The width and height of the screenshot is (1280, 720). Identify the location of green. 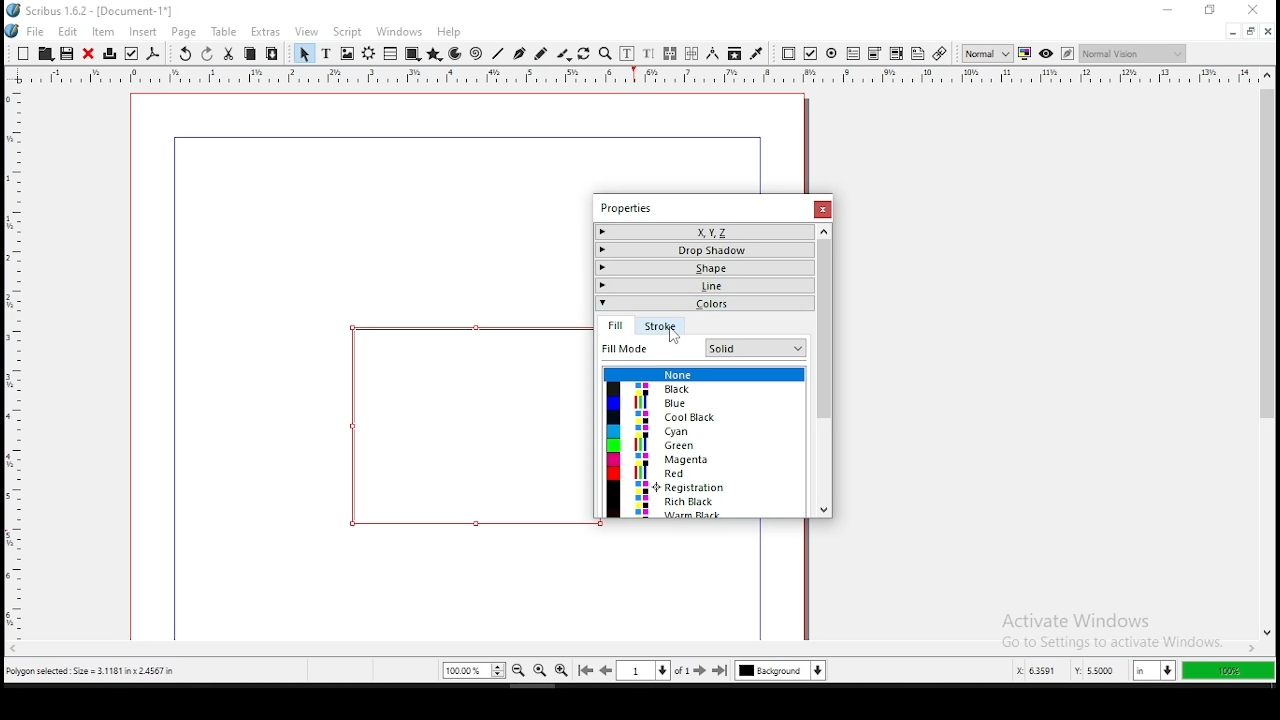
(704, 446).